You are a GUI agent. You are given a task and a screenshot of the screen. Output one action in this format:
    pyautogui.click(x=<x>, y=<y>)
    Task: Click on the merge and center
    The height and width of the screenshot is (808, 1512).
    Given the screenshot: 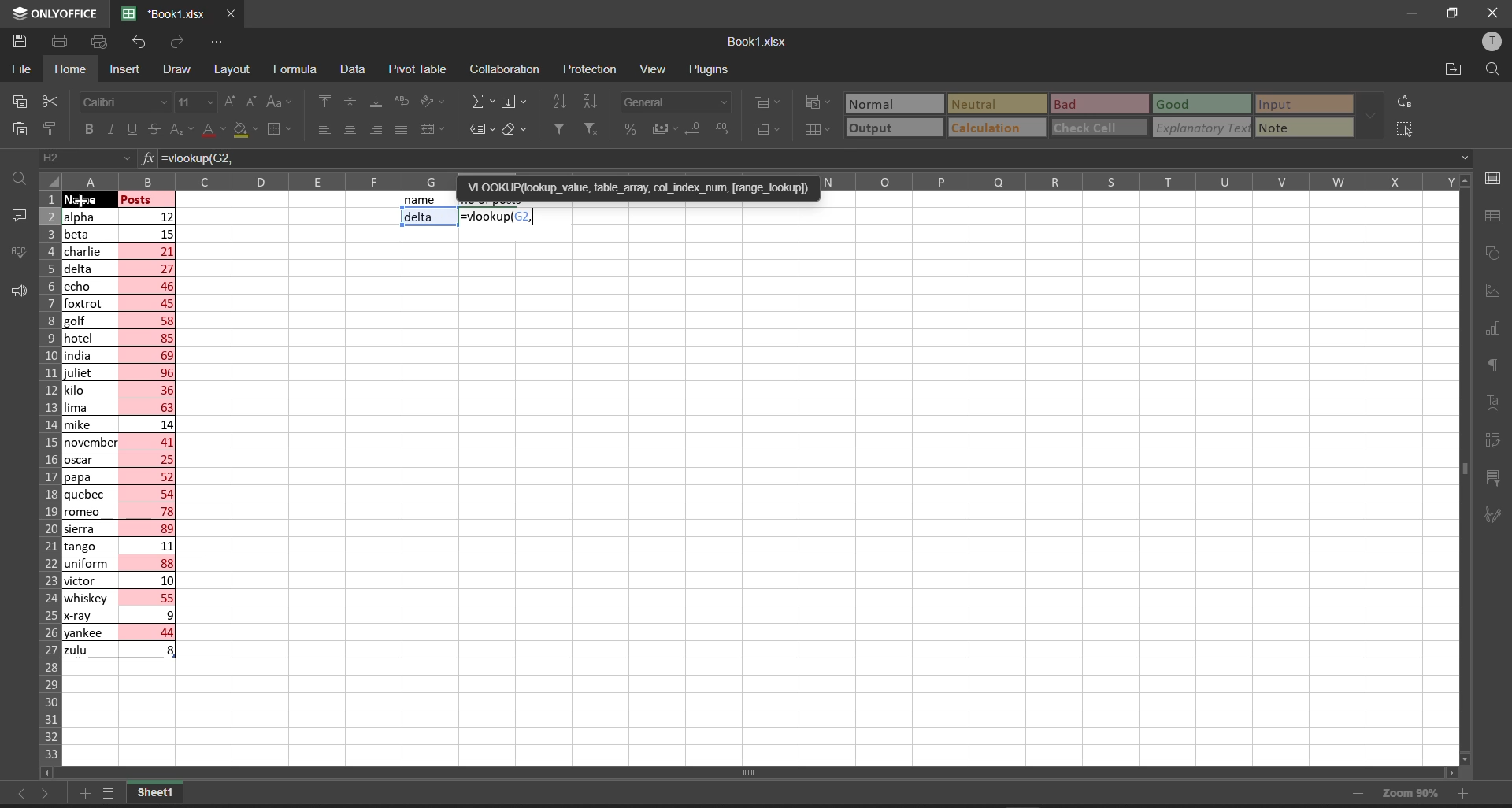 What is the action you would take?
    pyautogui.click(x=433, y=130)
    